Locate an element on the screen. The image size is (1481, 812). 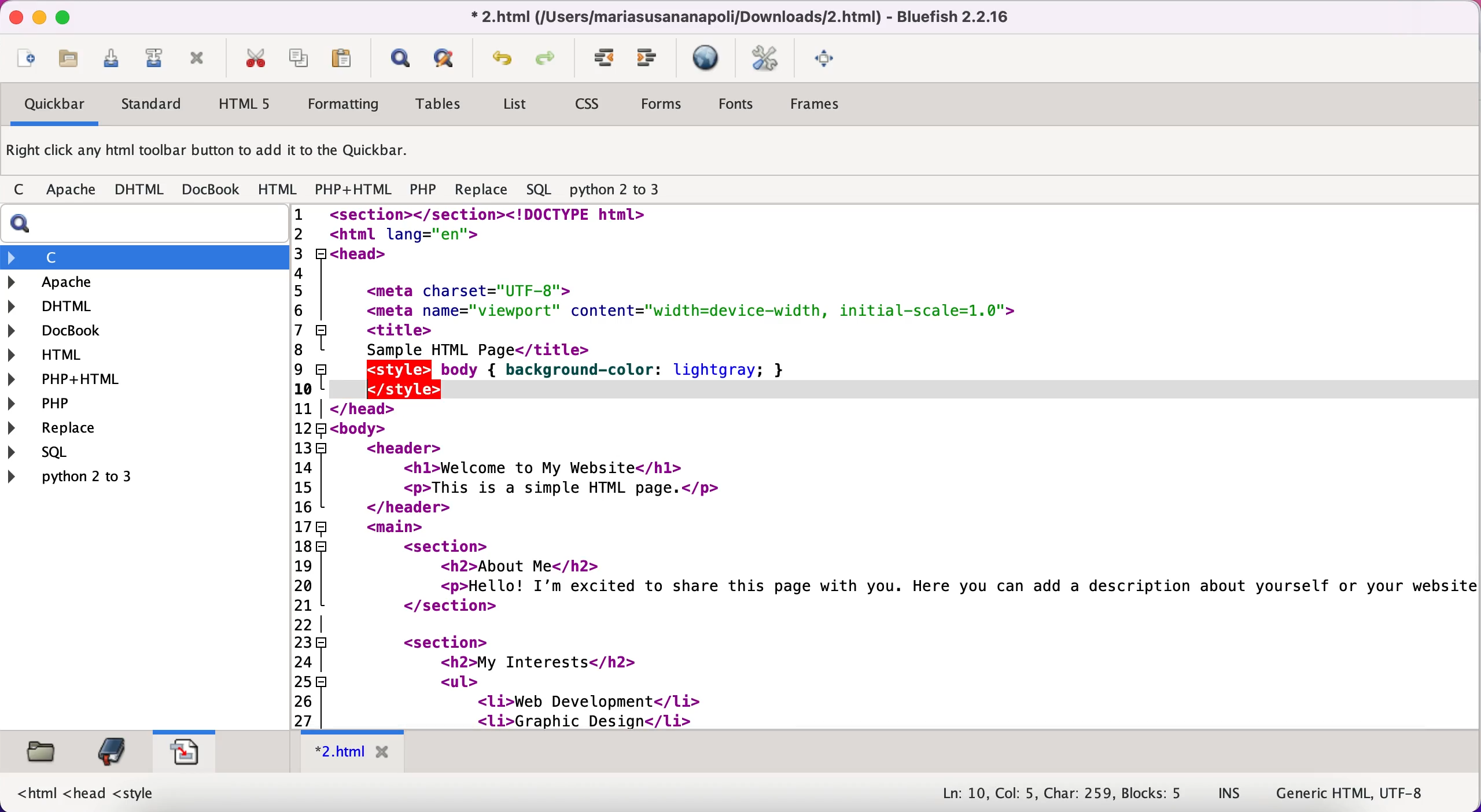
* 2.html is located at coordinates (355, 752).